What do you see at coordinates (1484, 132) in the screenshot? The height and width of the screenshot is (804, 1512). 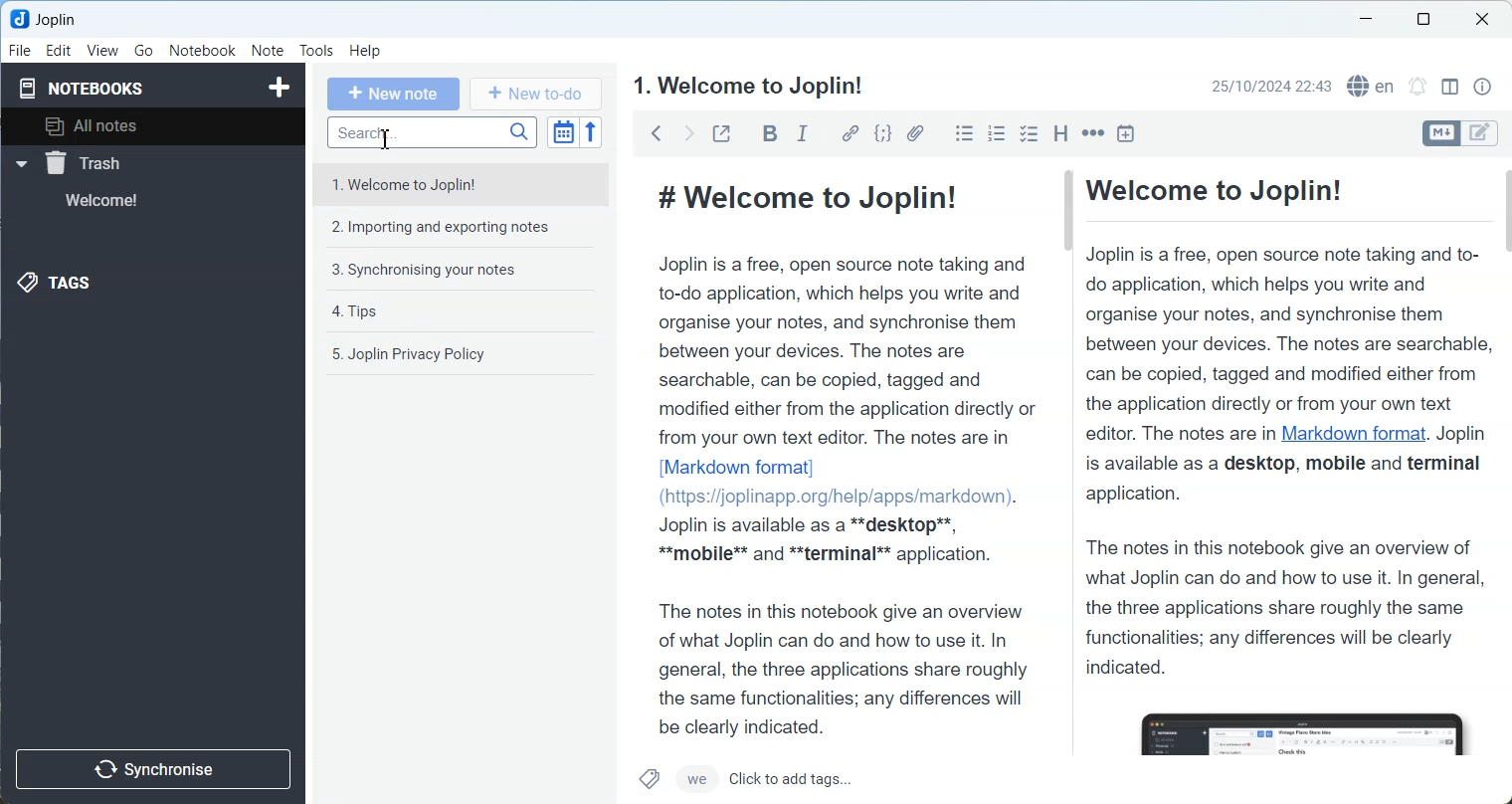 I see `Toggle Editors` at bounding box center [1484, 132].